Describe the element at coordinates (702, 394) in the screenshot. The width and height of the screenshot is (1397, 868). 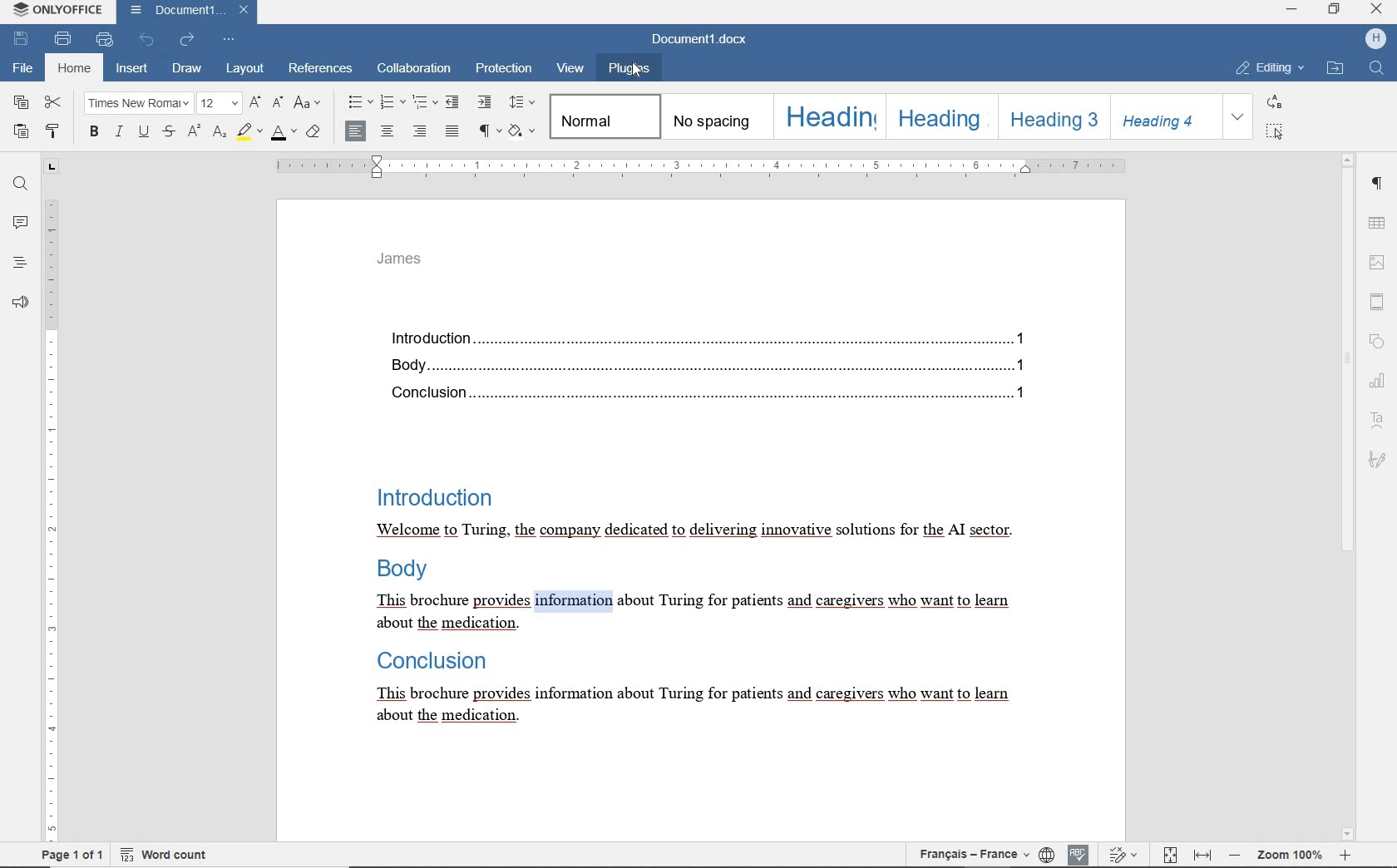
I see `Conclusion......1` at that location.